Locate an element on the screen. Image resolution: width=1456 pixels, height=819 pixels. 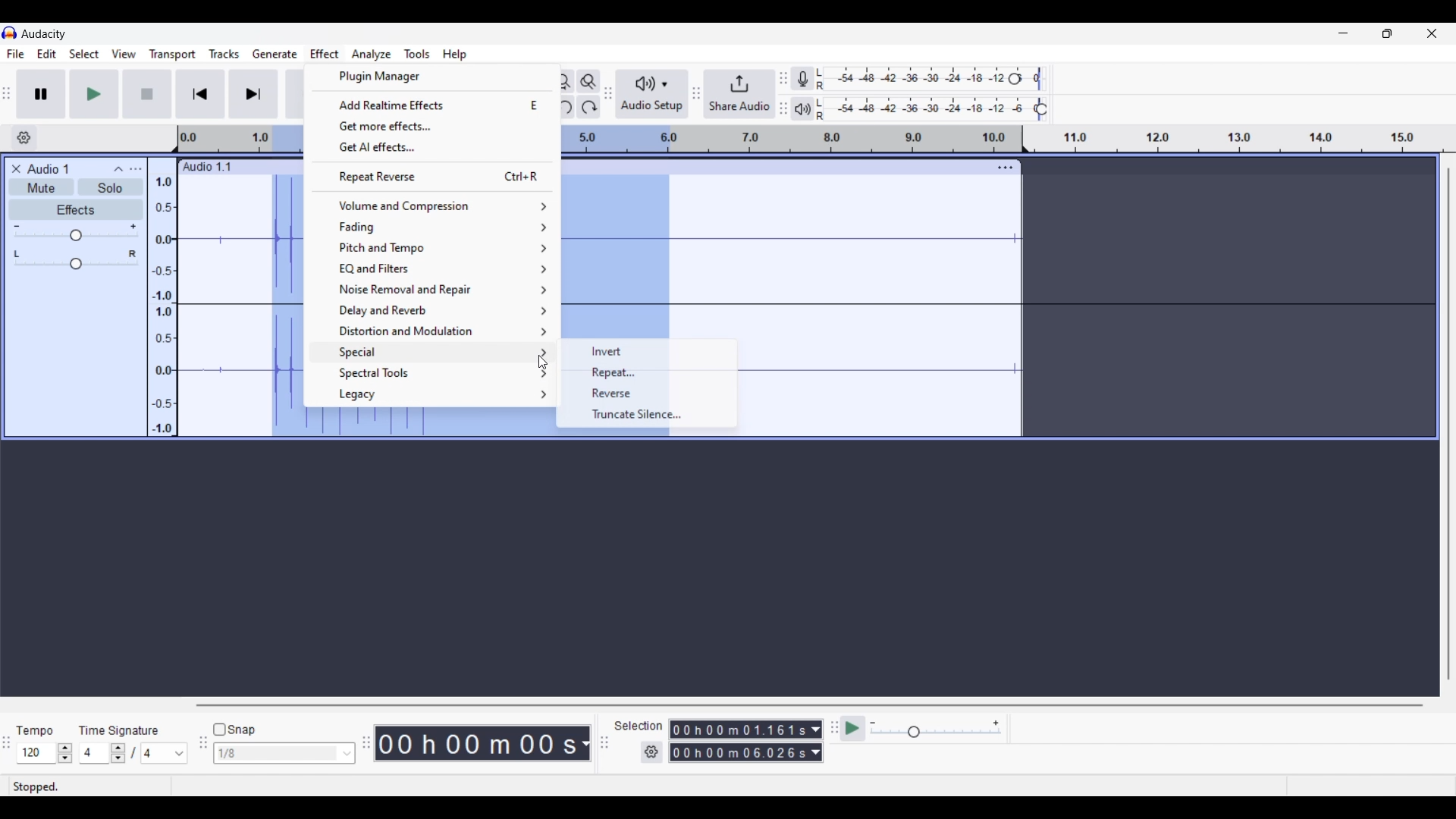
Playback meter is located at coordinates (802, 109).